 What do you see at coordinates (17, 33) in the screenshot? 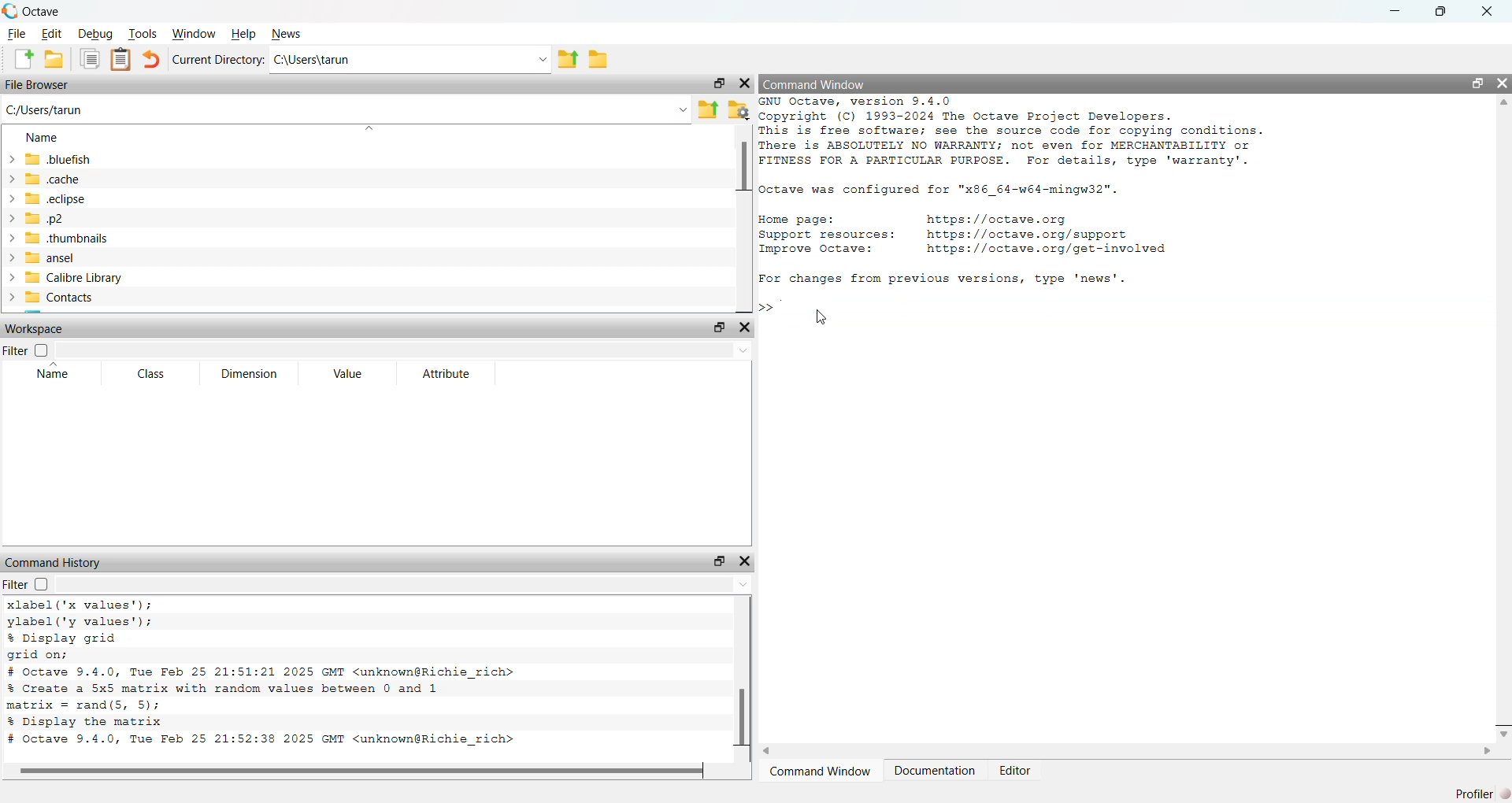
I see `File` at bounding box center [17, 33].